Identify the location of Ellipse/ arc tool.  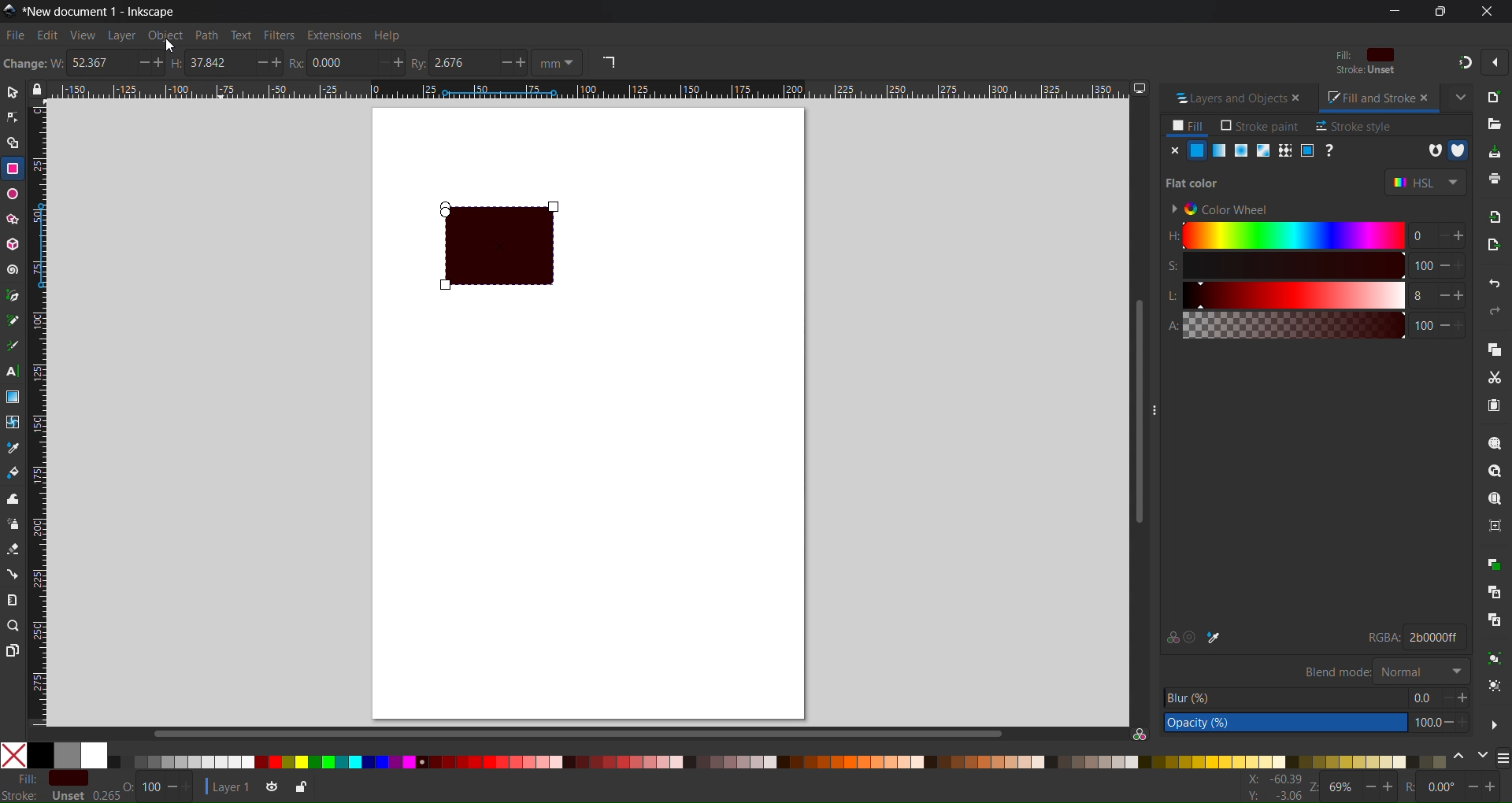
(13, 194).